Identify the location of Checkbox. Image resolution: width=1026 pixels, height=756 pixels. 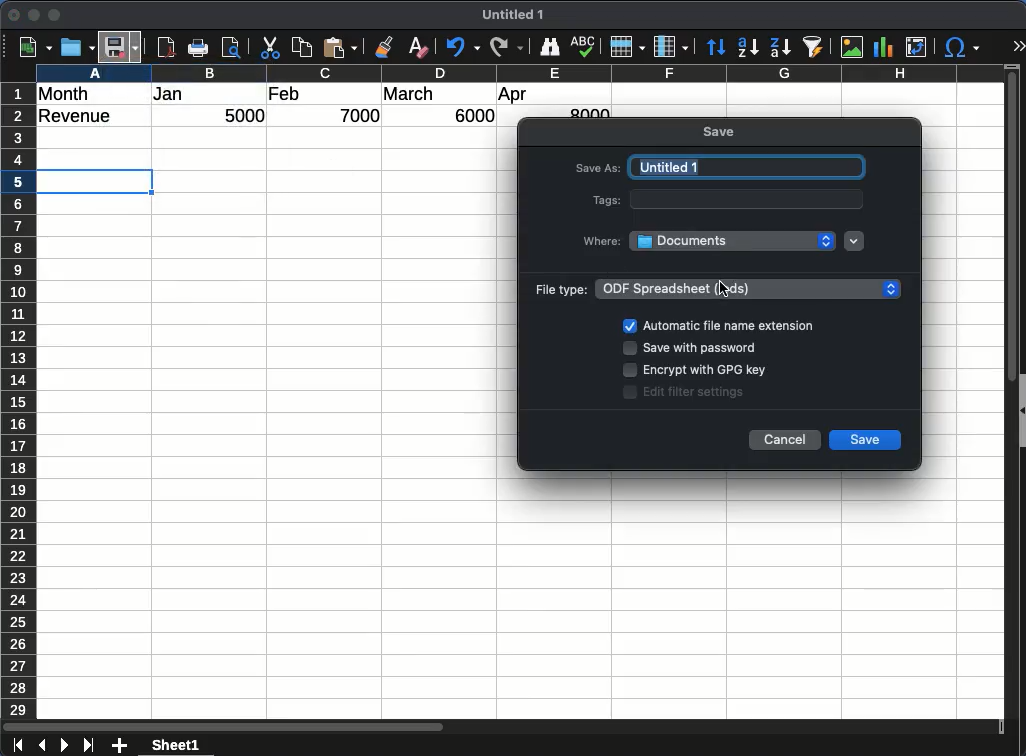
(632, 392).